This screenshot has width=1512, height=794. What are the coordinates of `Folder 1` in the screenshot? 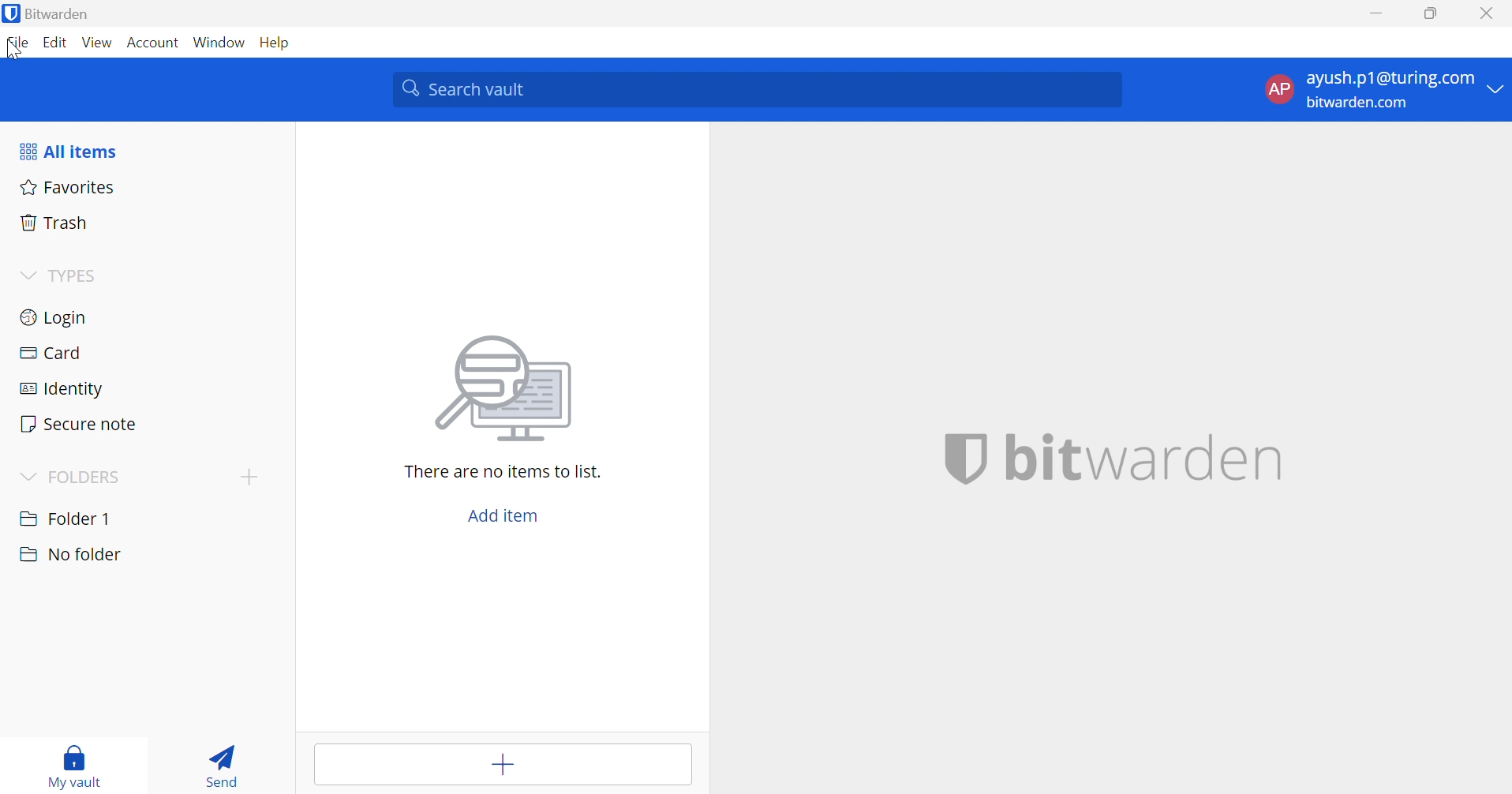 It's located at (65, 517).